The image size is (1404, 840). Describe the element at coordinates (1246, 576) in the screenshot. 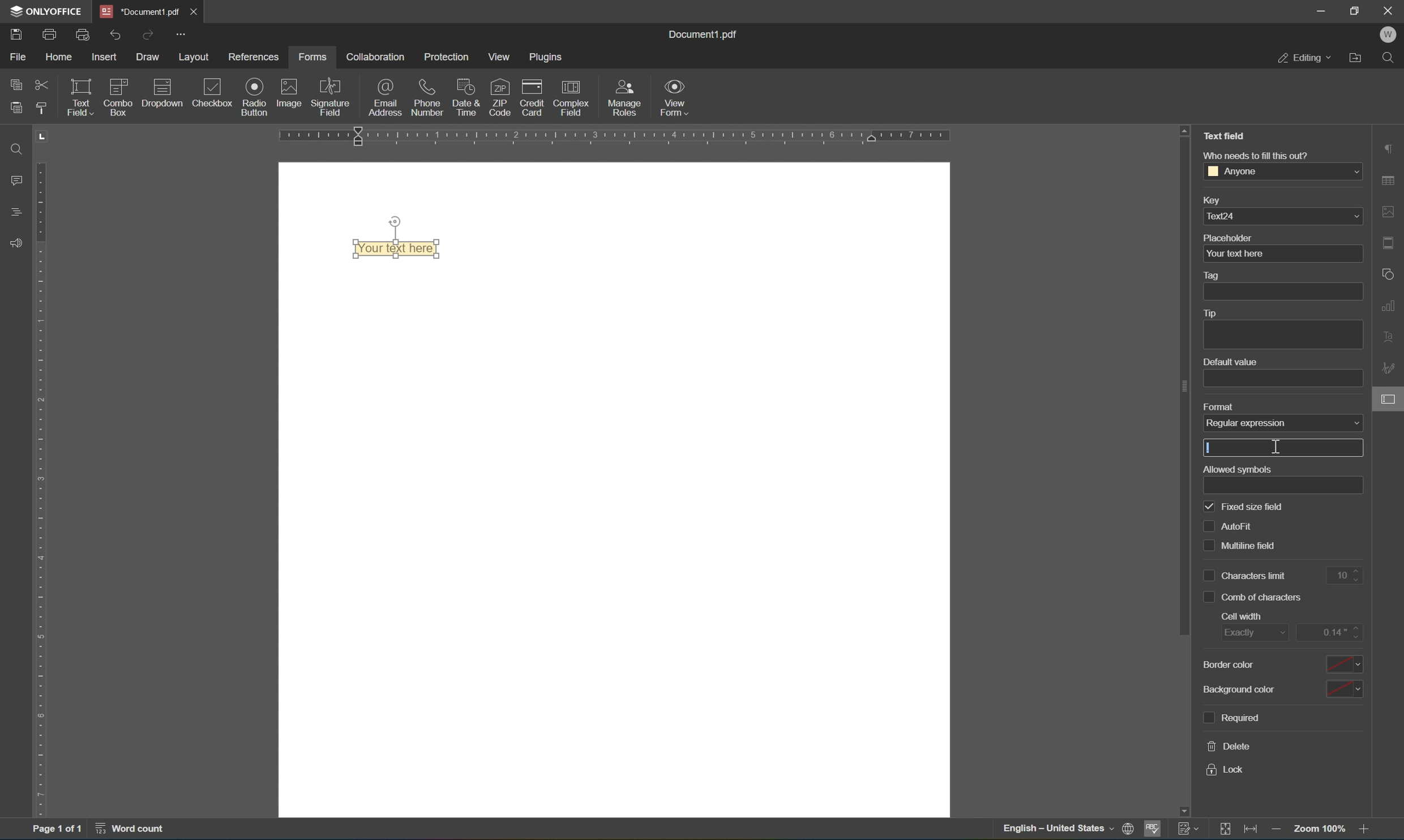

I see `characters limits` at that location.